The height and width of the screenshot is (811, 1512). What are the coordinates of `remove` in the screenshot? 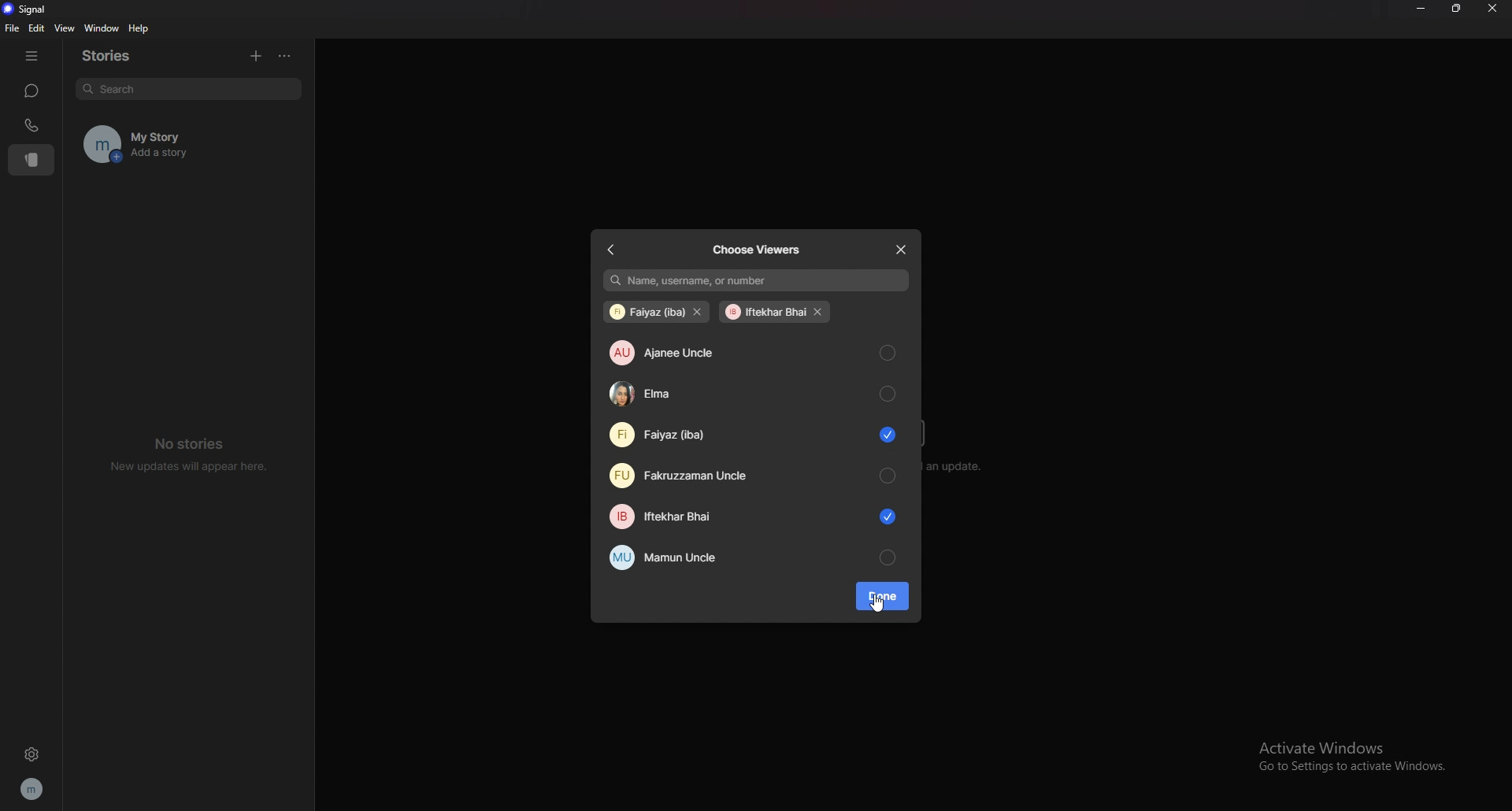 It's located at (695, 312).